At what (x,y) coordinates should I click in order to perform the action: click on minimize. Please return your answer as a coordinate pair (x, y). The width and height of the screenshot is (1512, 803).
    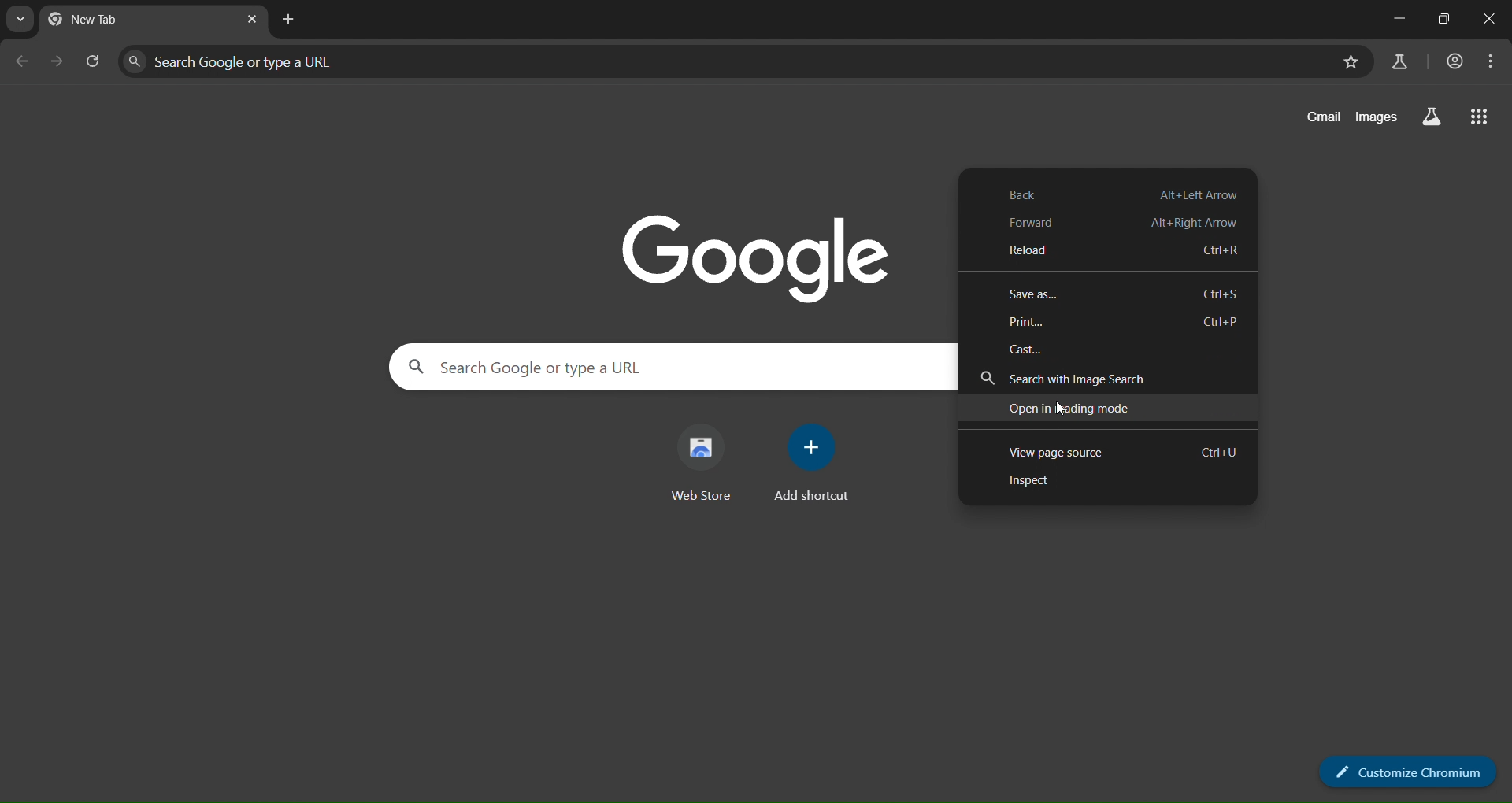
    Looking at the image, I should click on (1393, 20).